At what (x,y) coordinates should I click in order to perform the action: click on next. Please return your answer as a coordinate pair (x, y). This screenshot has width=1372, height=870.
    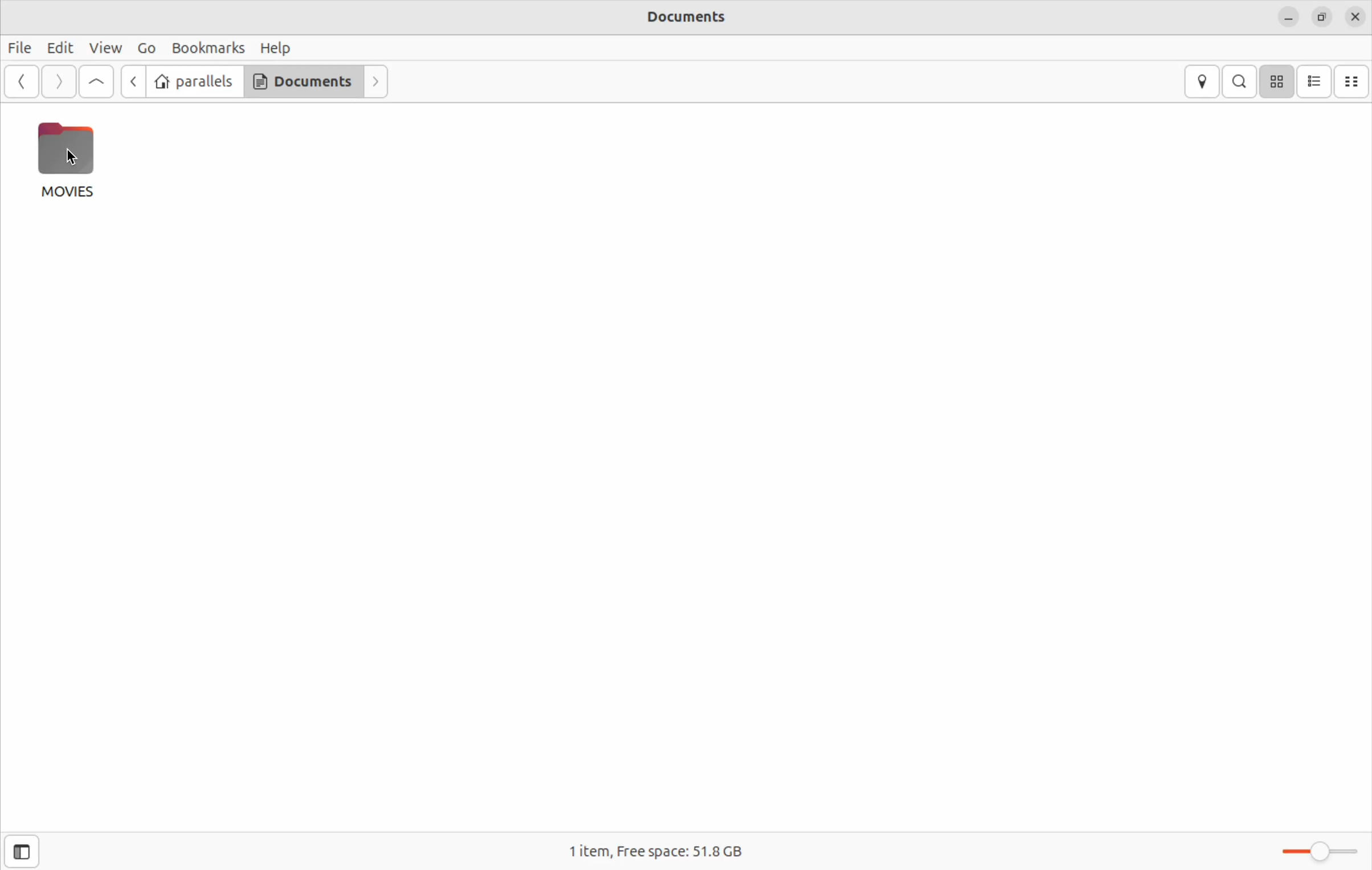
    Looking at the image, I should click on (376, 80).